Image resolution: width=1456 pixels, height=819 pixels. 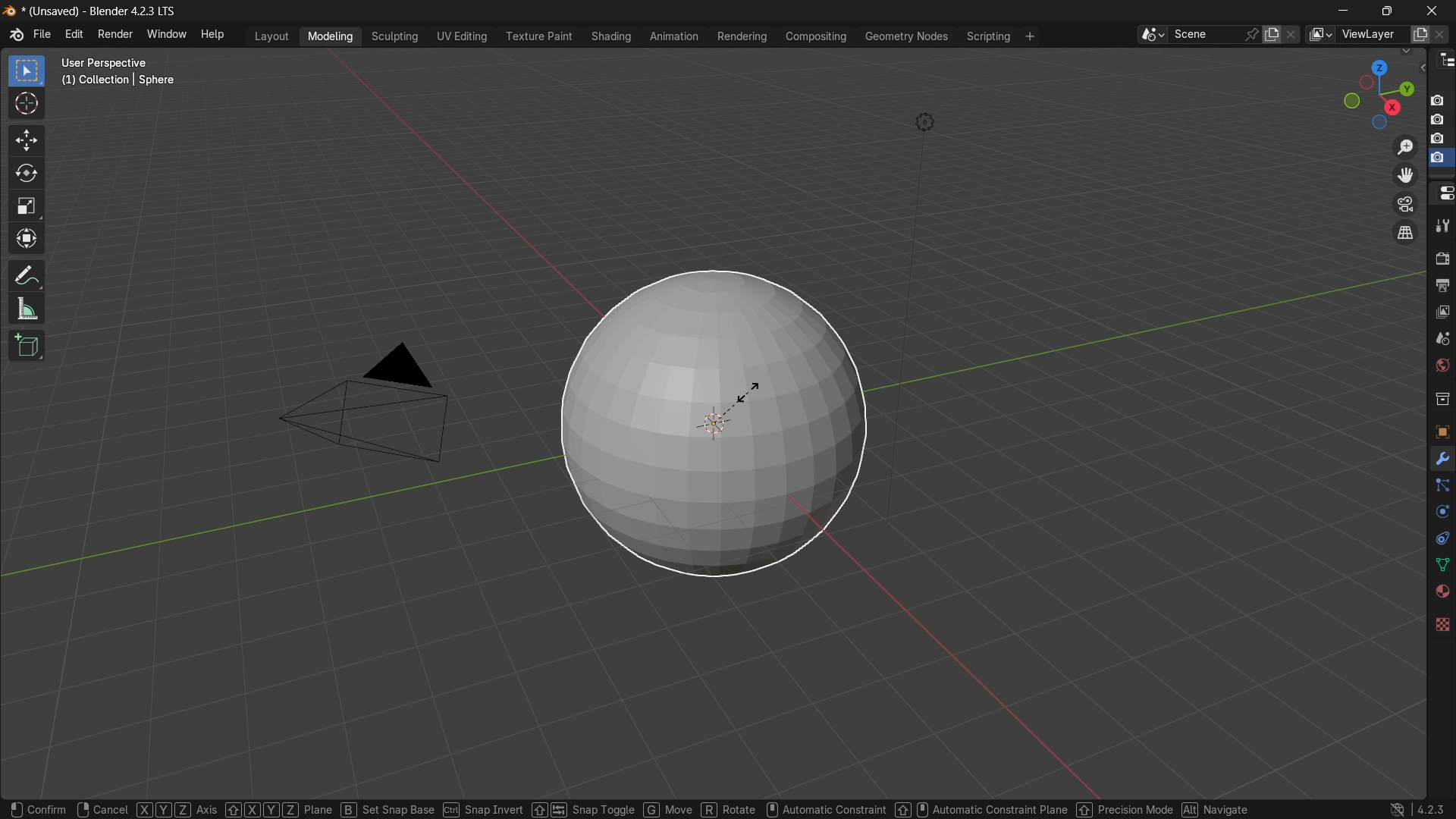 I want to click on window menu, so click(x=166, y=36).